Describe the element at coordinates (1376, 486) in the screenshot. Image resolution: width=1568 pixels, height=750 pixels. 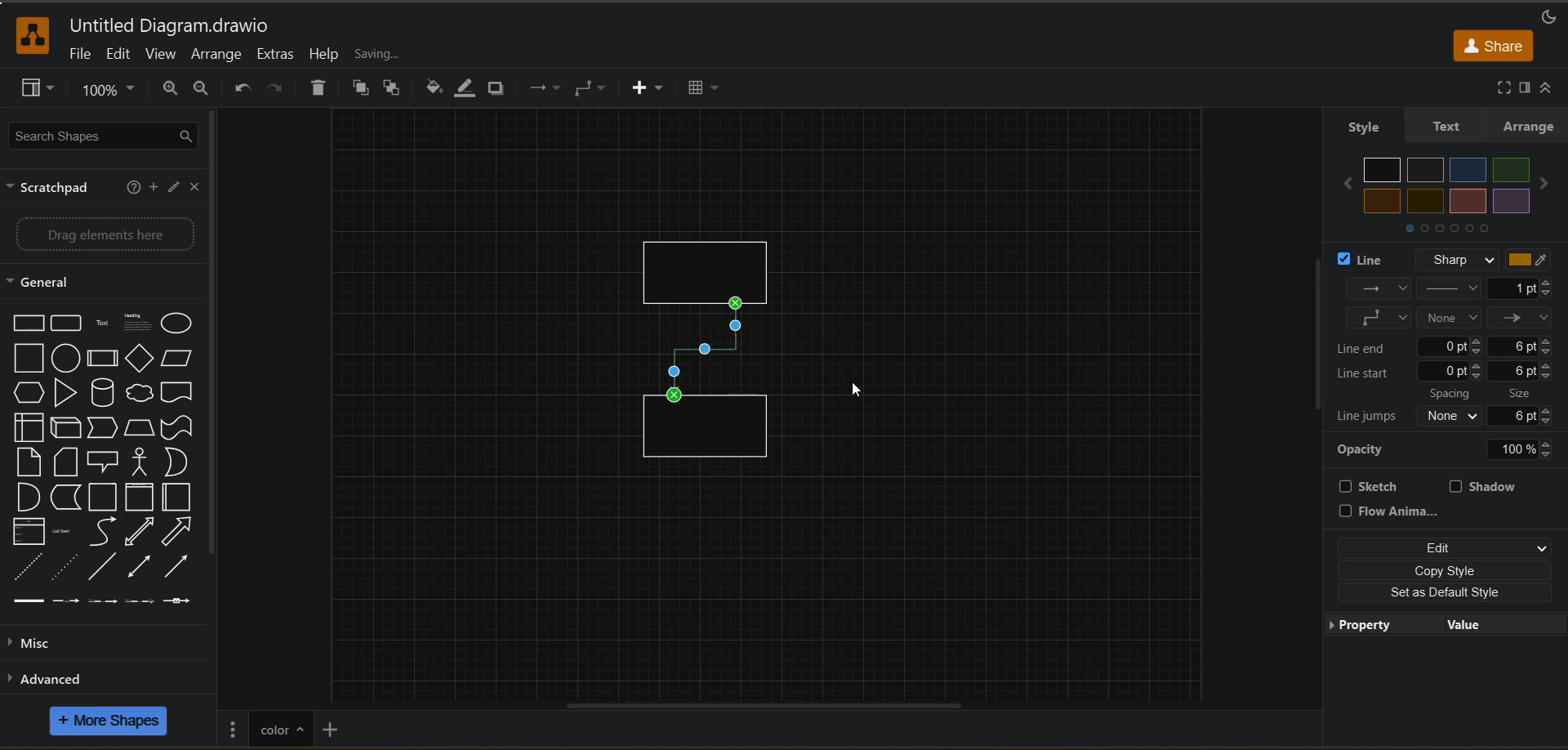
I see `sketch` at that location.